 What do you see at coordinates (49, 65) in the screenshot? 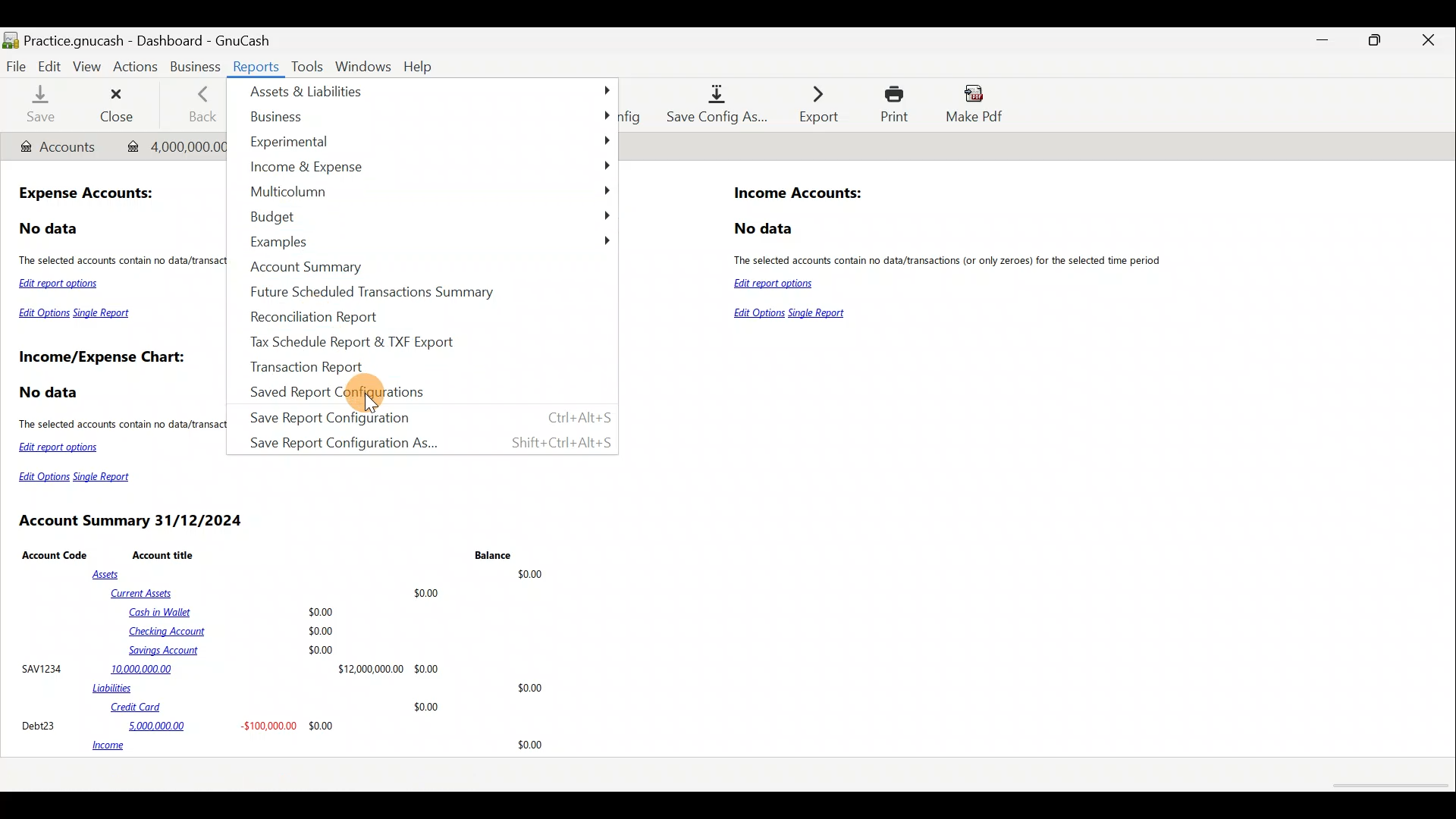
I see `Edit` at bounding box center [49, 65].